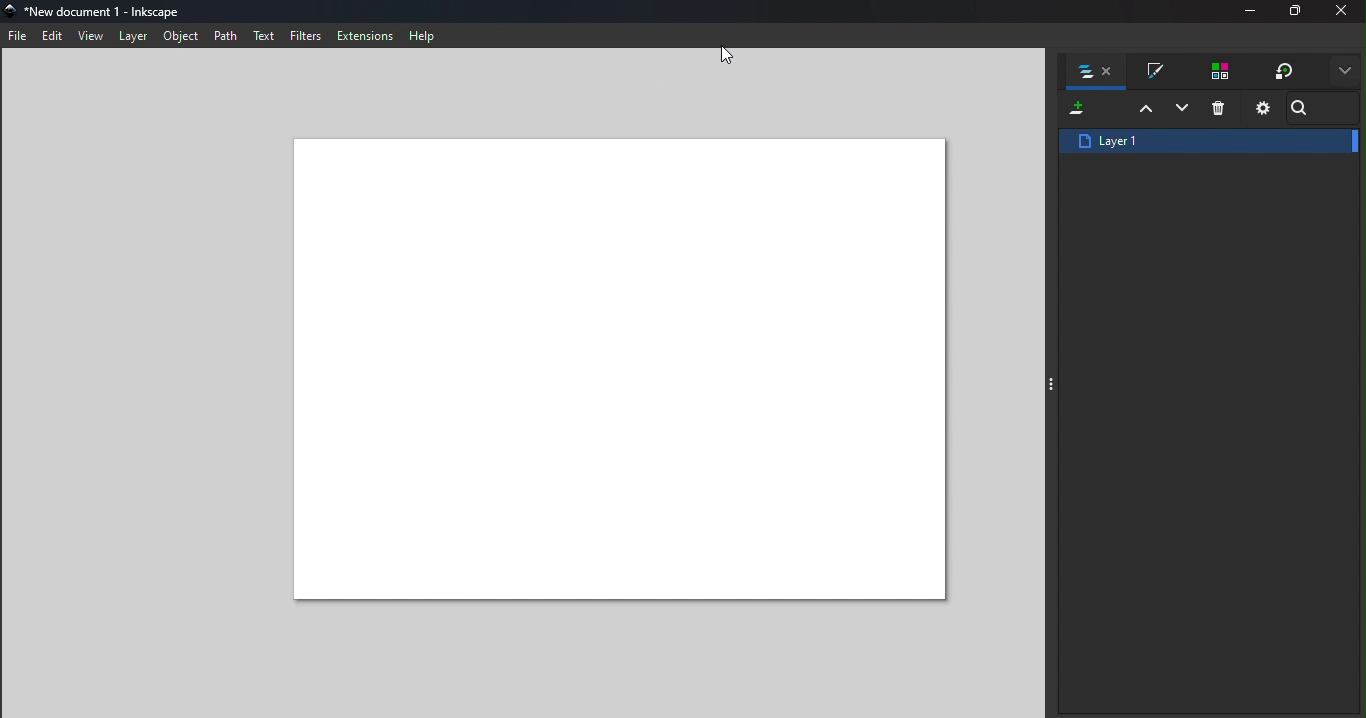  What do you see at coordinates (15, 37) in the screenshot?
I see `File` at bounding box center [15, 37].